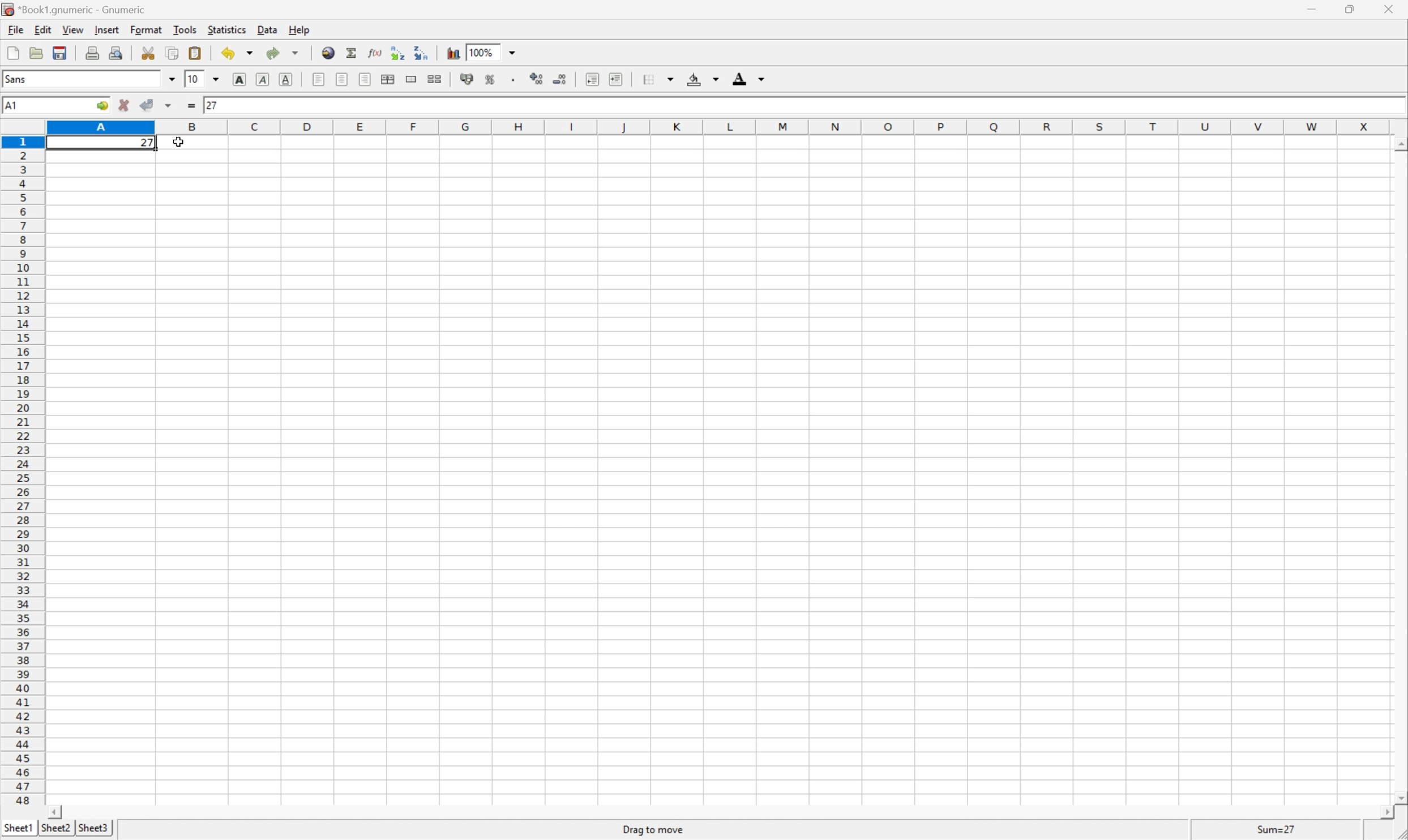  I want to click on Open a file, so click(37, 53).